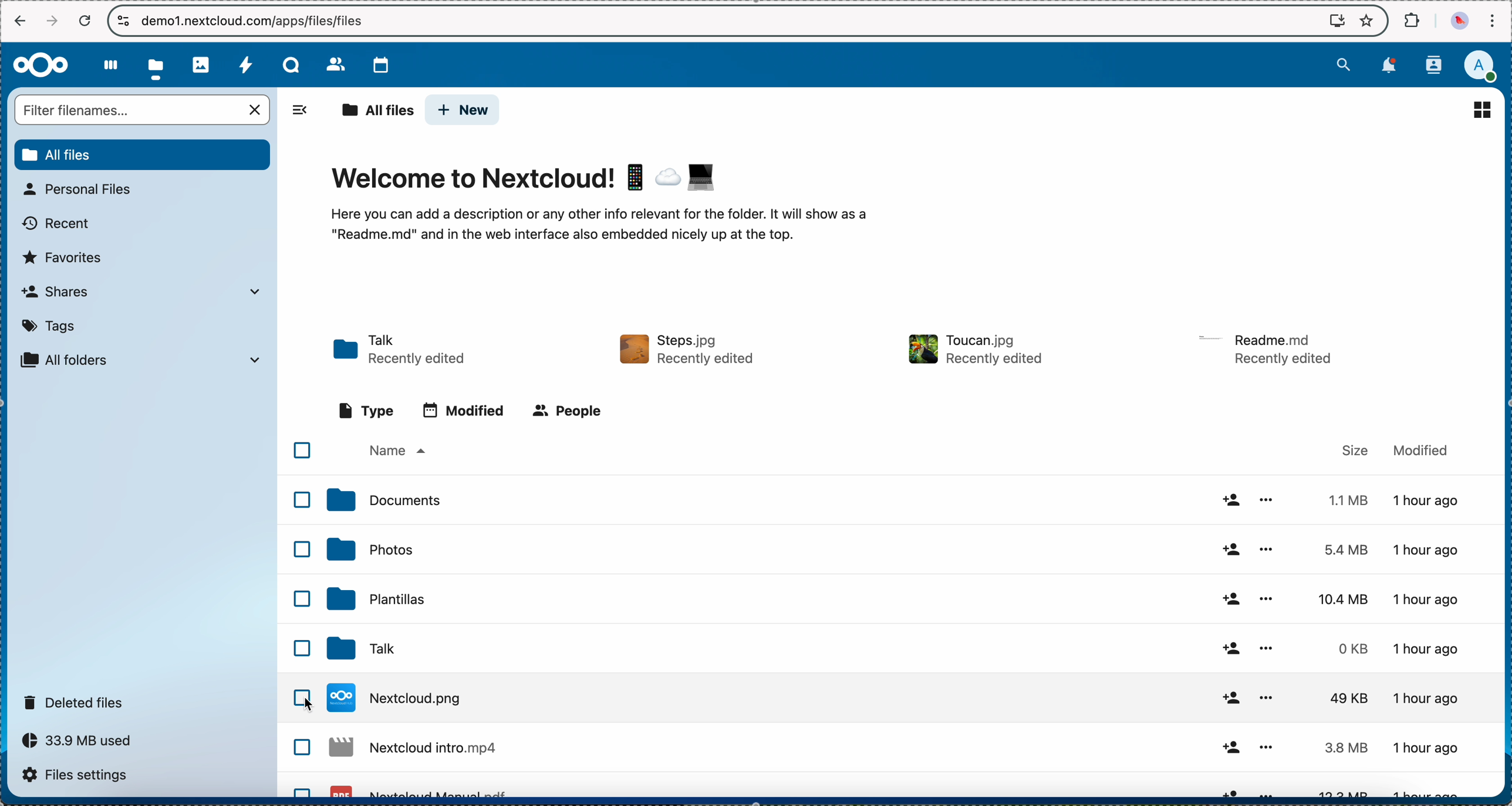 The image size is (1512, 806). Describe the element at coordinates (1484, 110) in the screenshot. I see `list view` at that location.